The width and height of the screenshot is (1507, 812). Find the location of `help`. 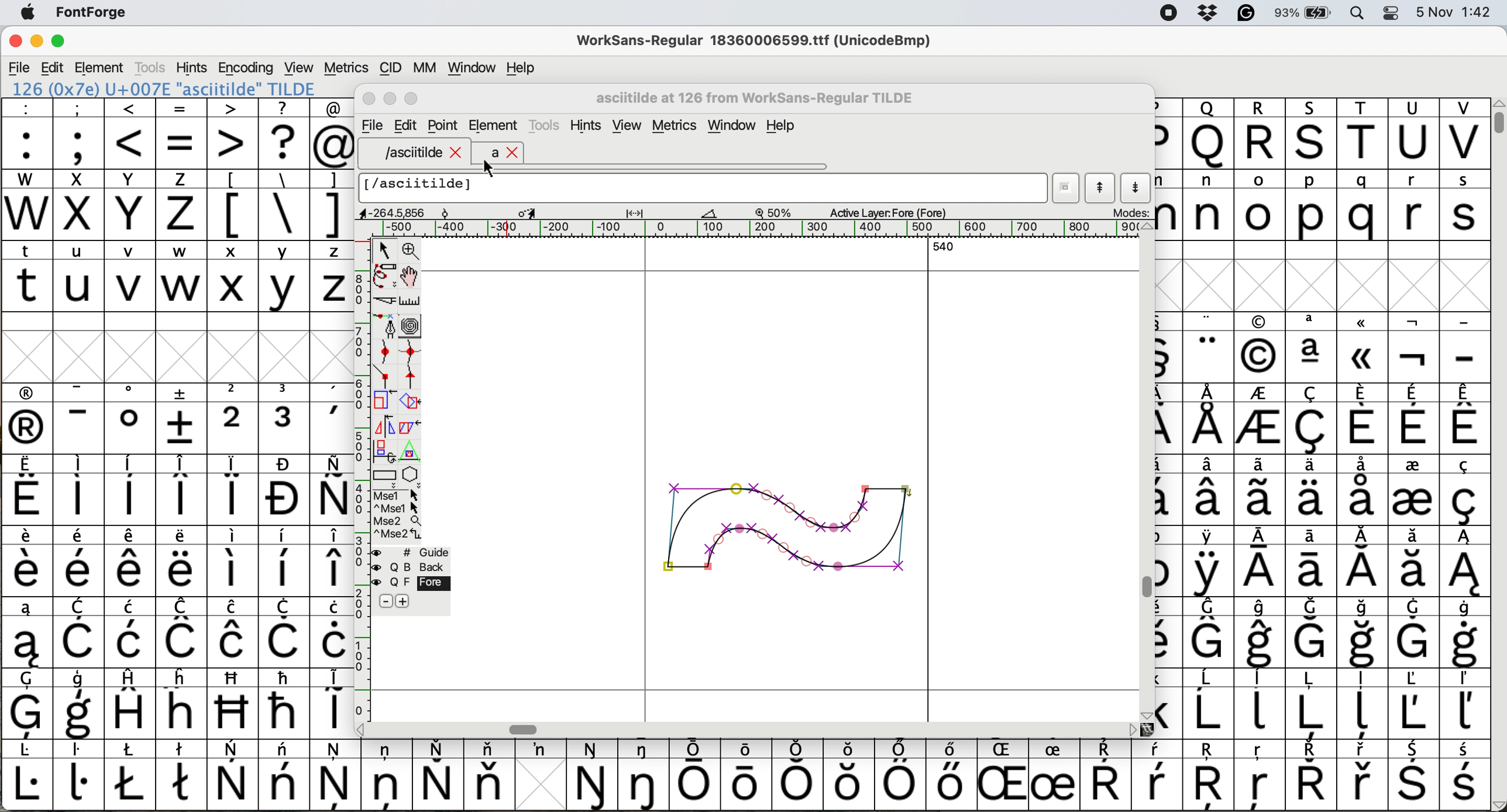

help is located at coordinates (522, 67).